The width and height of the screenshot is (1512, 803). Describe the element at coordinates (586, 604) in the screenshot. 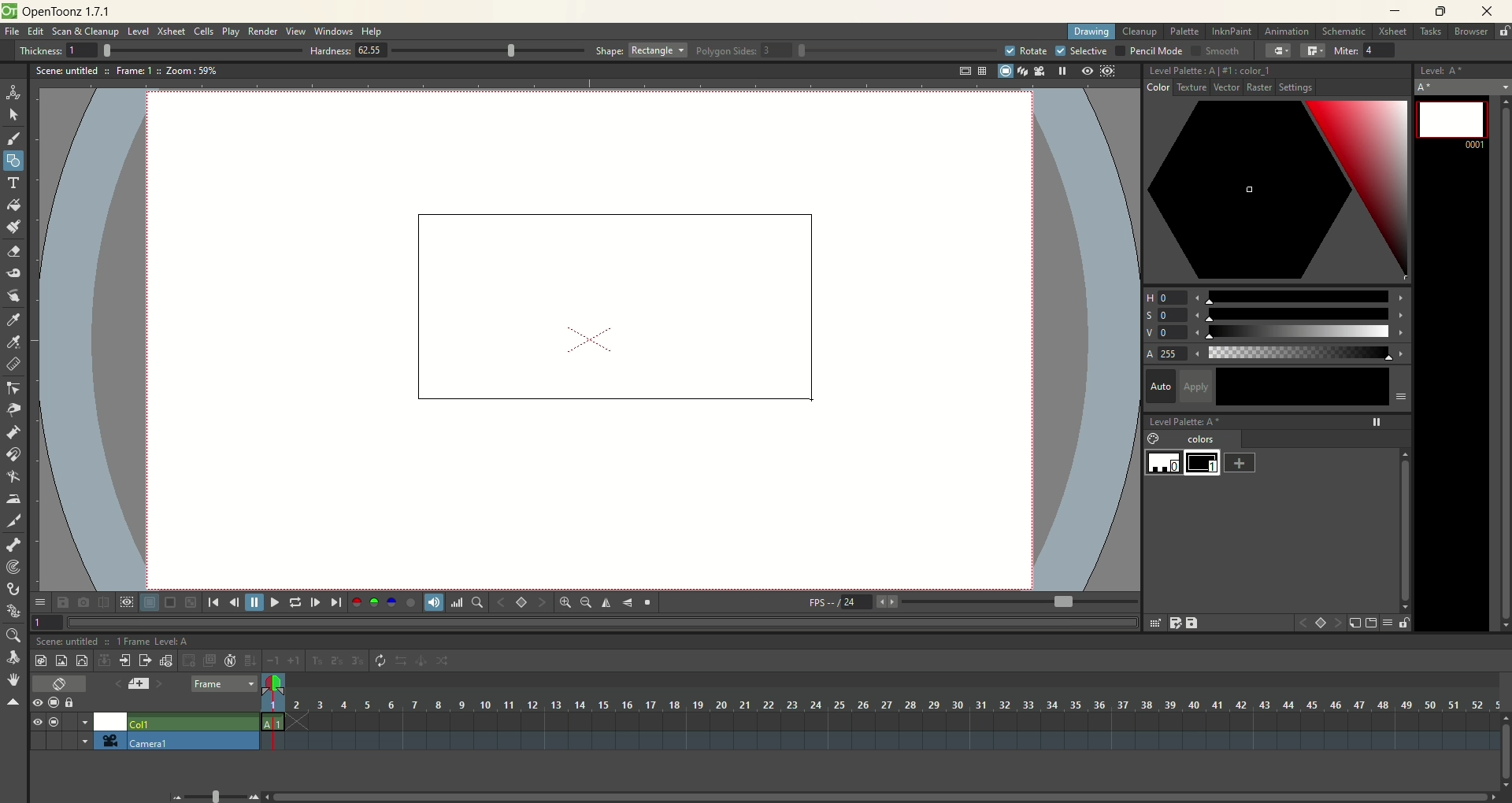

I see `zoom out` at that location.